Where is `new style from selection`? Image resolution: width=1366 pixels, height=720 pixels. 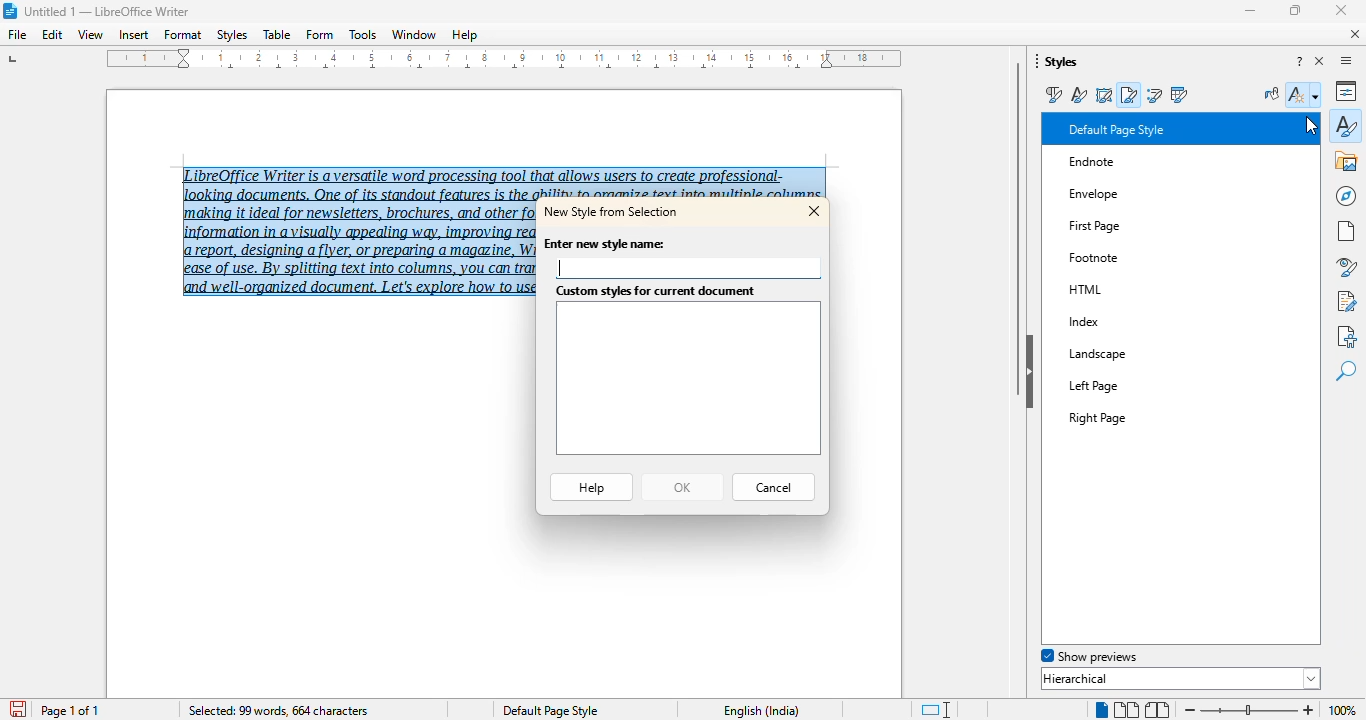
new style from selection is located at coordinates (613, 211).